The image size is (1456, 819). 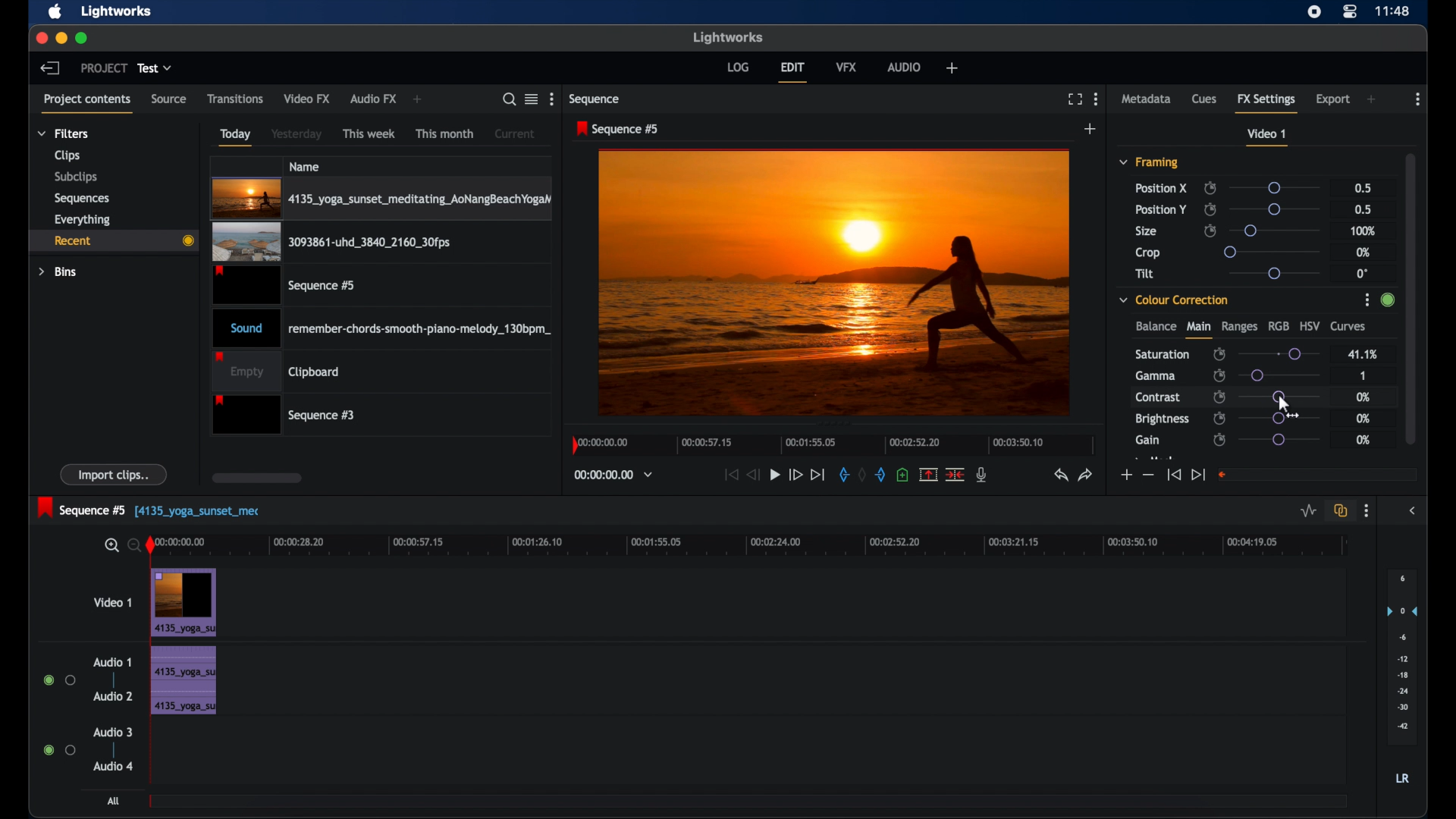 I want to click on filters, so click(x=62, y=133).